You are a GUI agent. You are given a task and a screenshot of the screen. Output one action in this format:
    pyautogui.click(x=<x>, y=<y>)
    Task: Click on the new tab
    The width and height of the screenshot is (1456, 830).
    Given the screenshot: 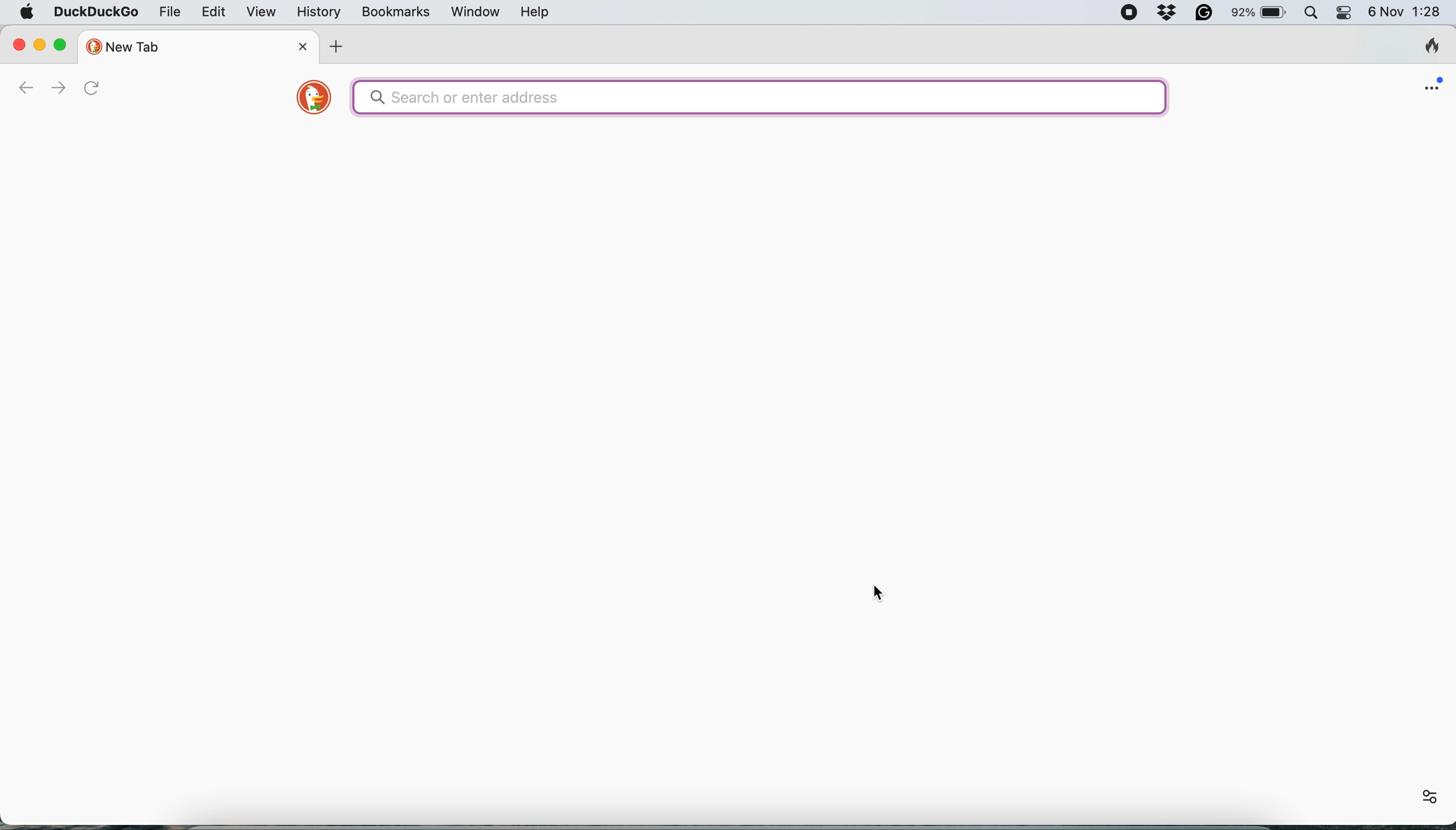 What is the action you would take?
    pyautogui.click(x=185, y=45)
    